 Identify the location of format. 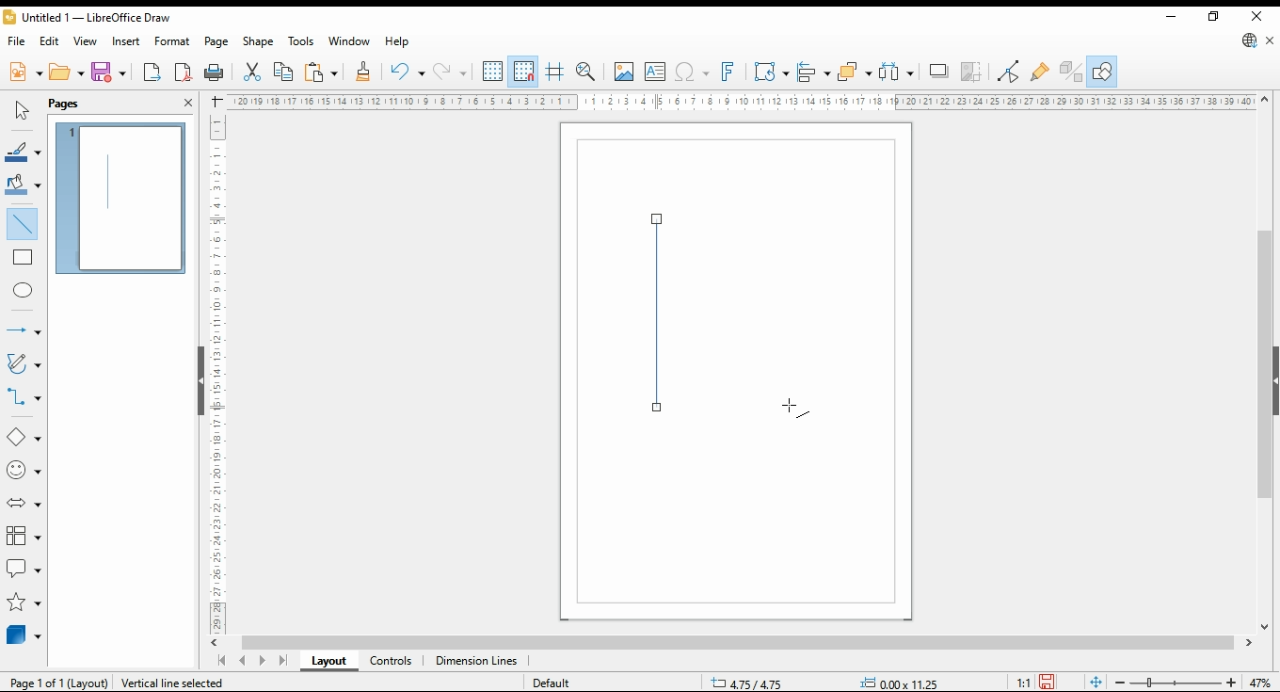
(173, 41).